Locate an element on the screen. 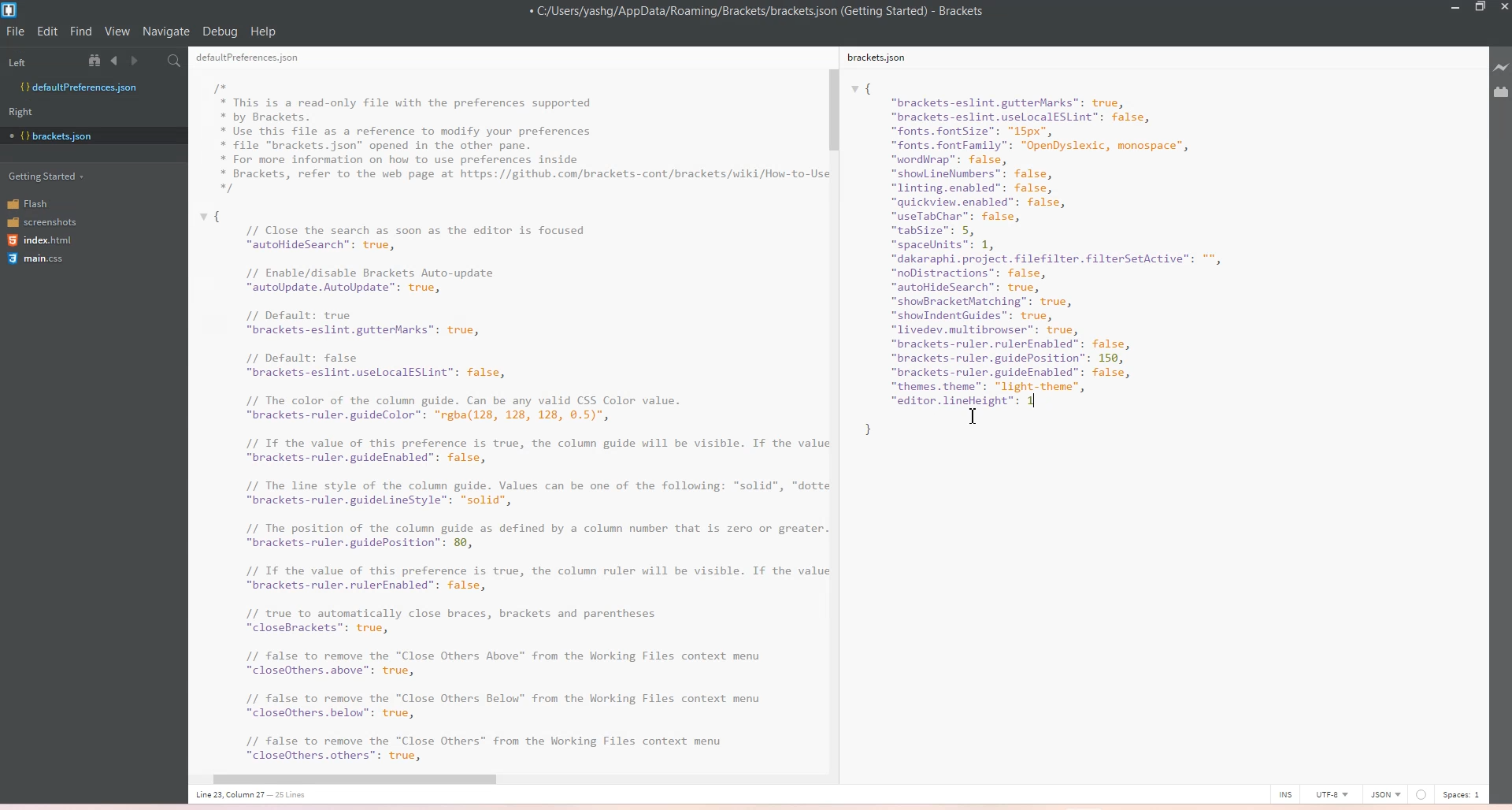  brackets.json is located at coordinates (881, 58).